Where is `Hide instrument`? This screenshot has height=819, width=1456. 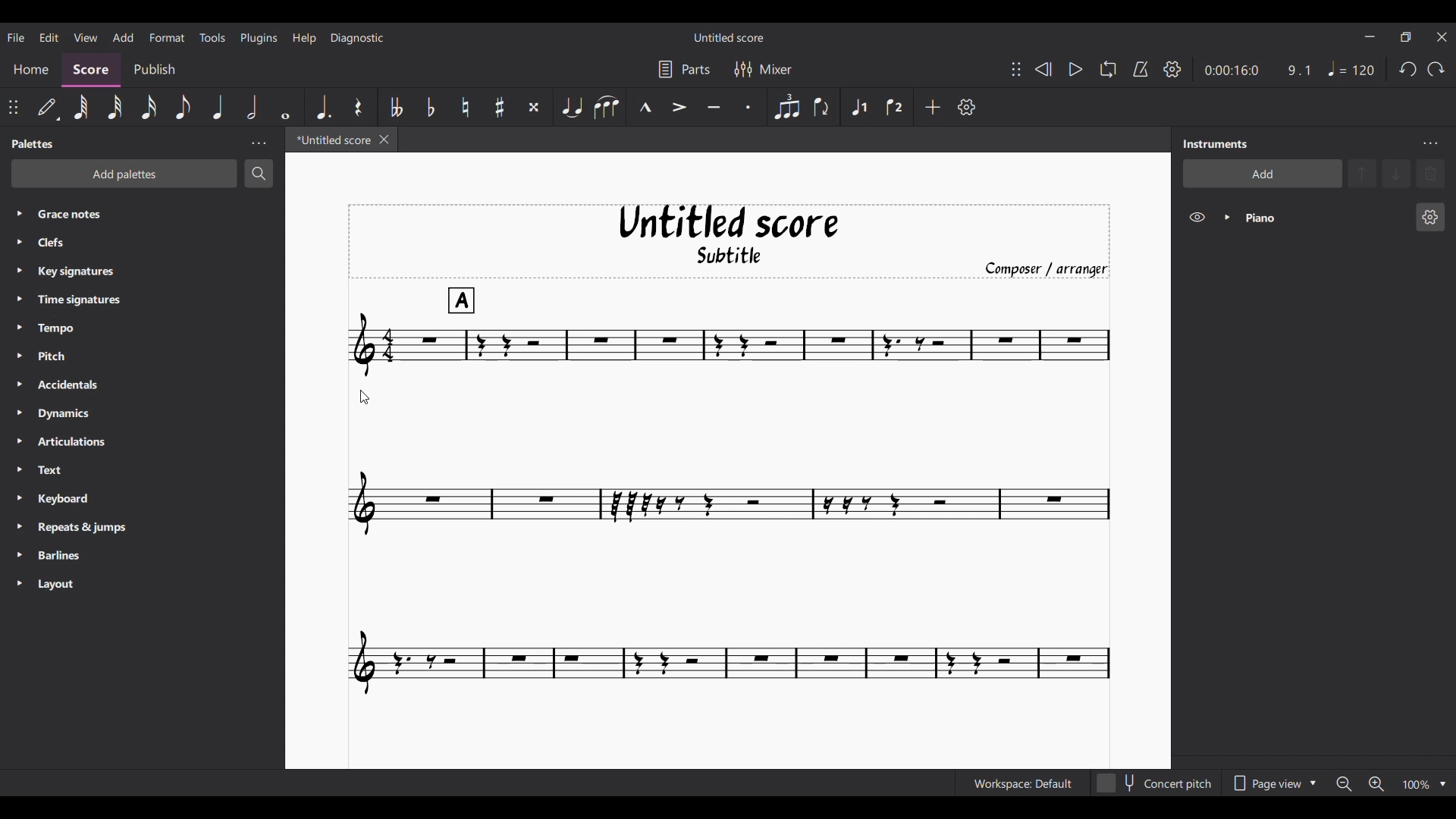 Hide instrument is located at coordinates (1197, 217).